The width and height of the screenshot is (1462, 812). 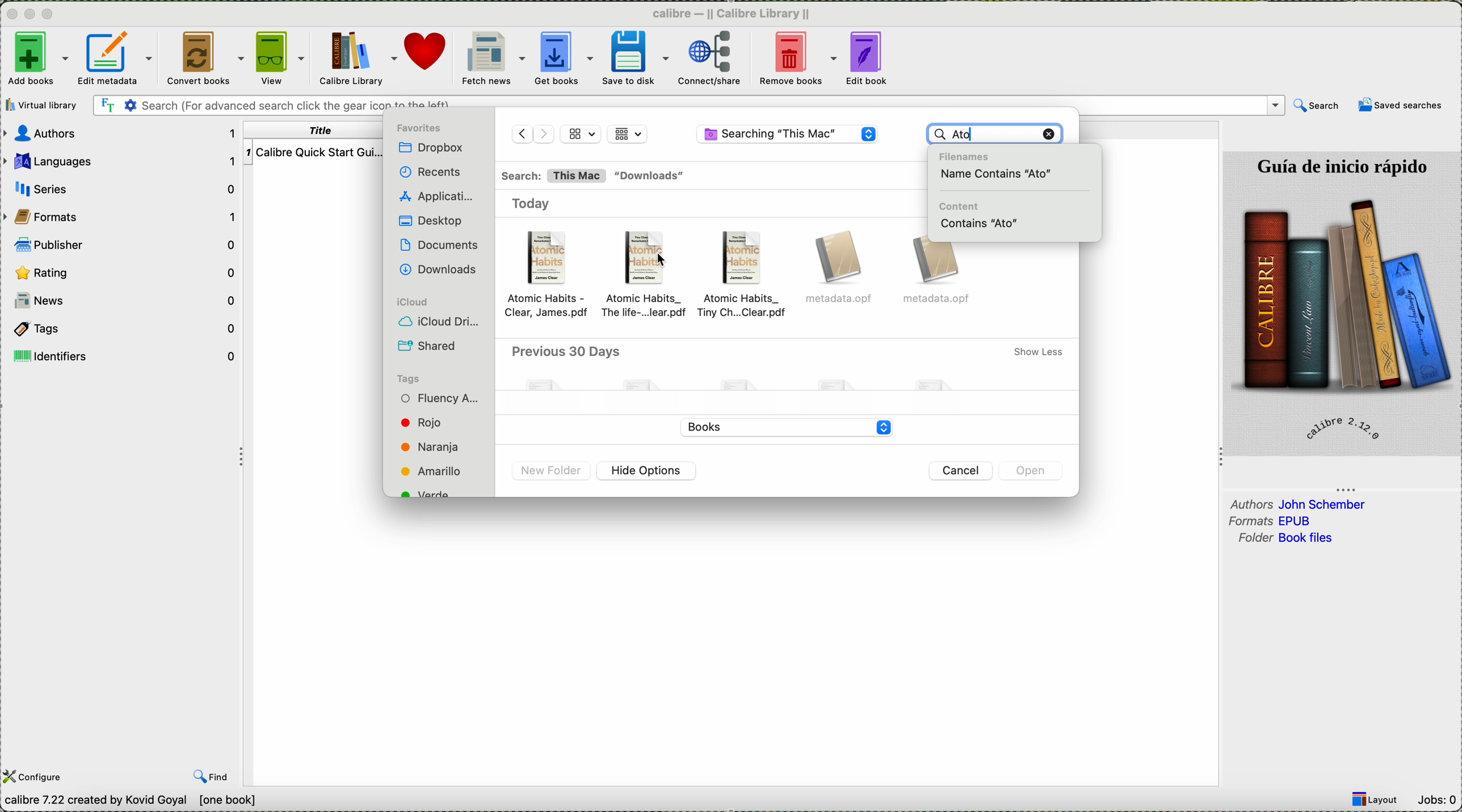 What do you see at coordinates (1436, 801) in the screenshot?
I see `Jobs: 0` at bounding box center [1436, 801].